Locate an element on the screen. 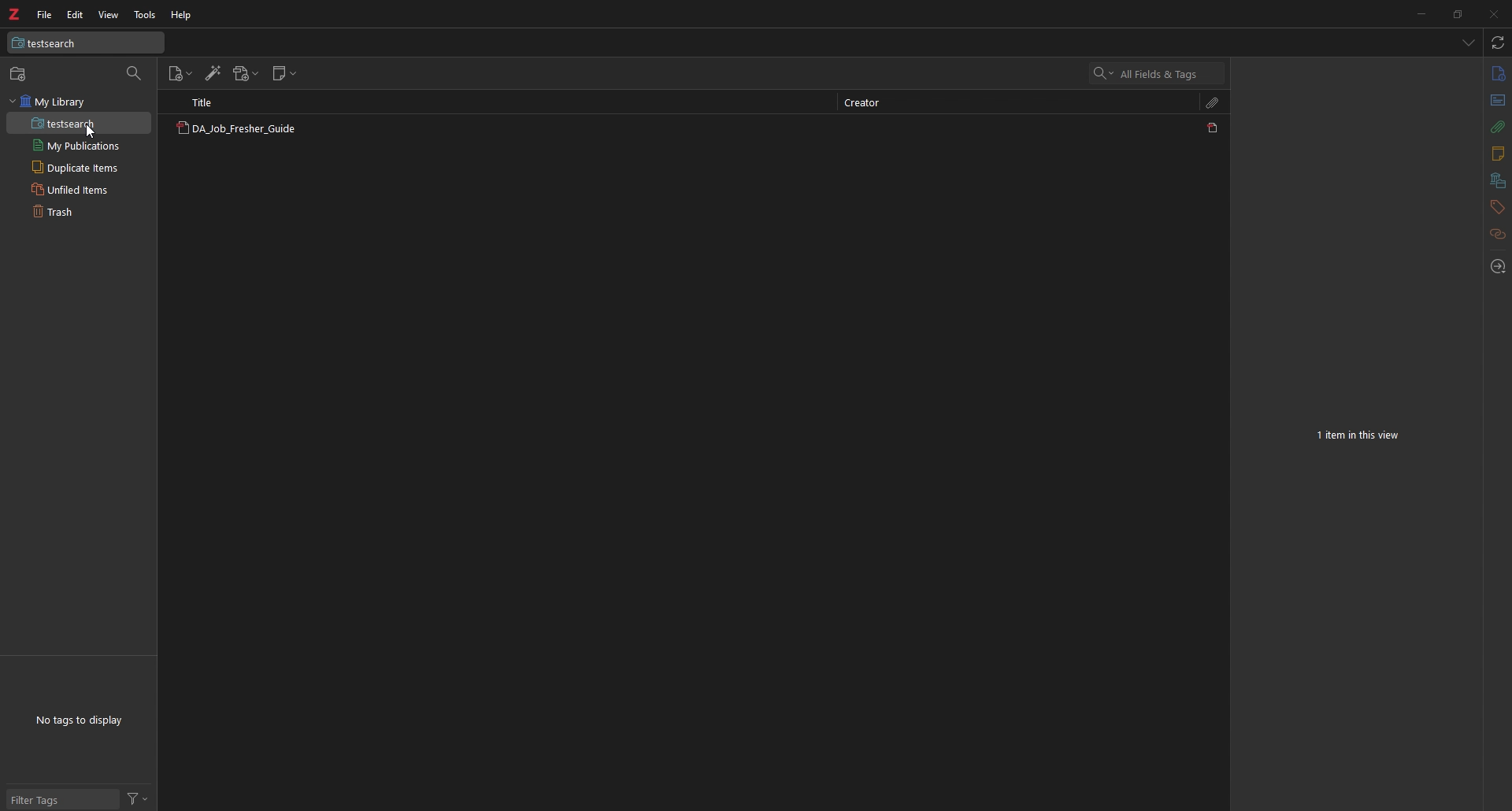 Image resolution: width=1512 pixels, height=811 pixels. add items by identifier is located at coordinates (213, 73).